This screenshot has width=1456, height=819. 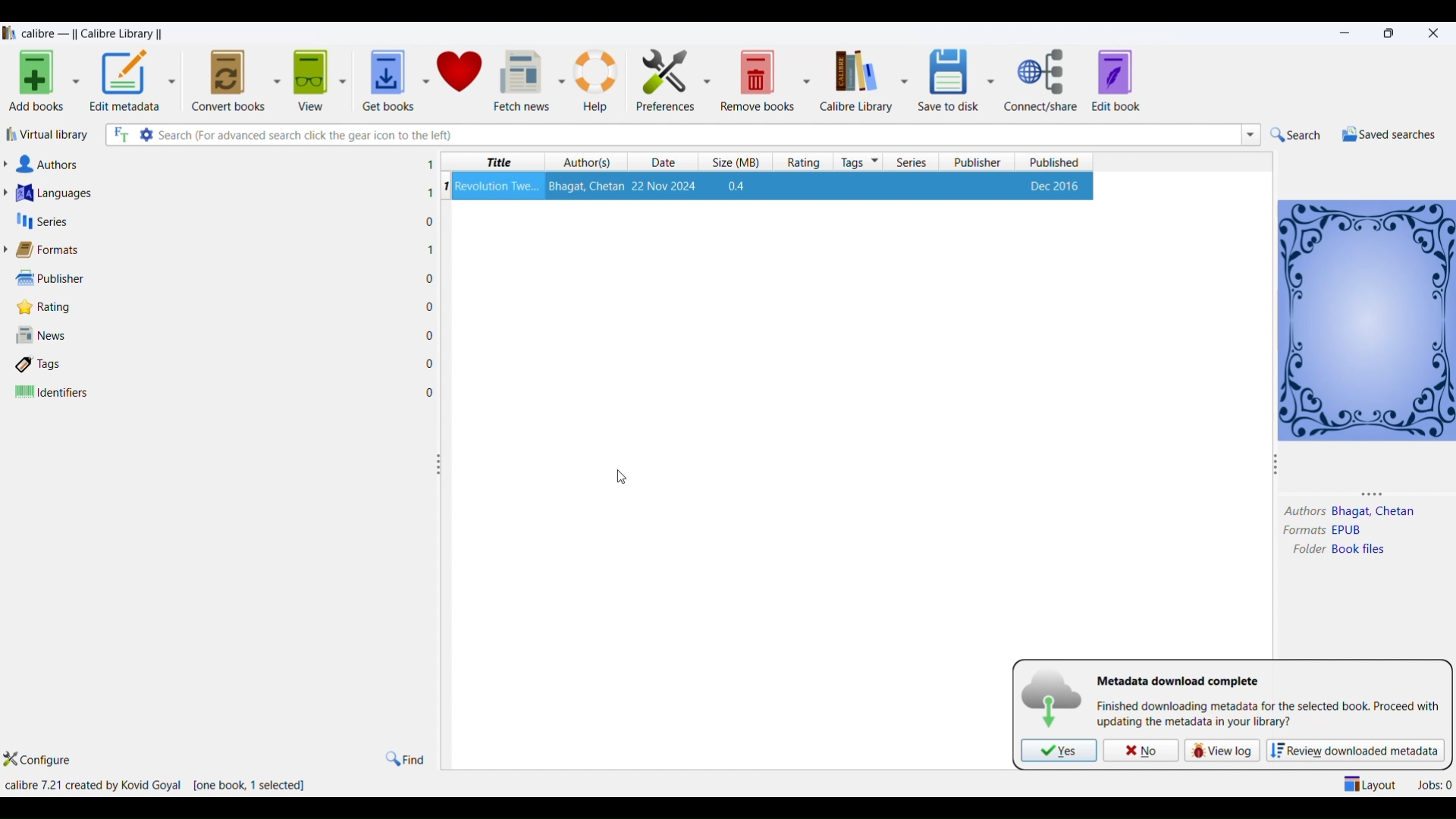 I want to click on fetch news, so click(x=522, y=79).